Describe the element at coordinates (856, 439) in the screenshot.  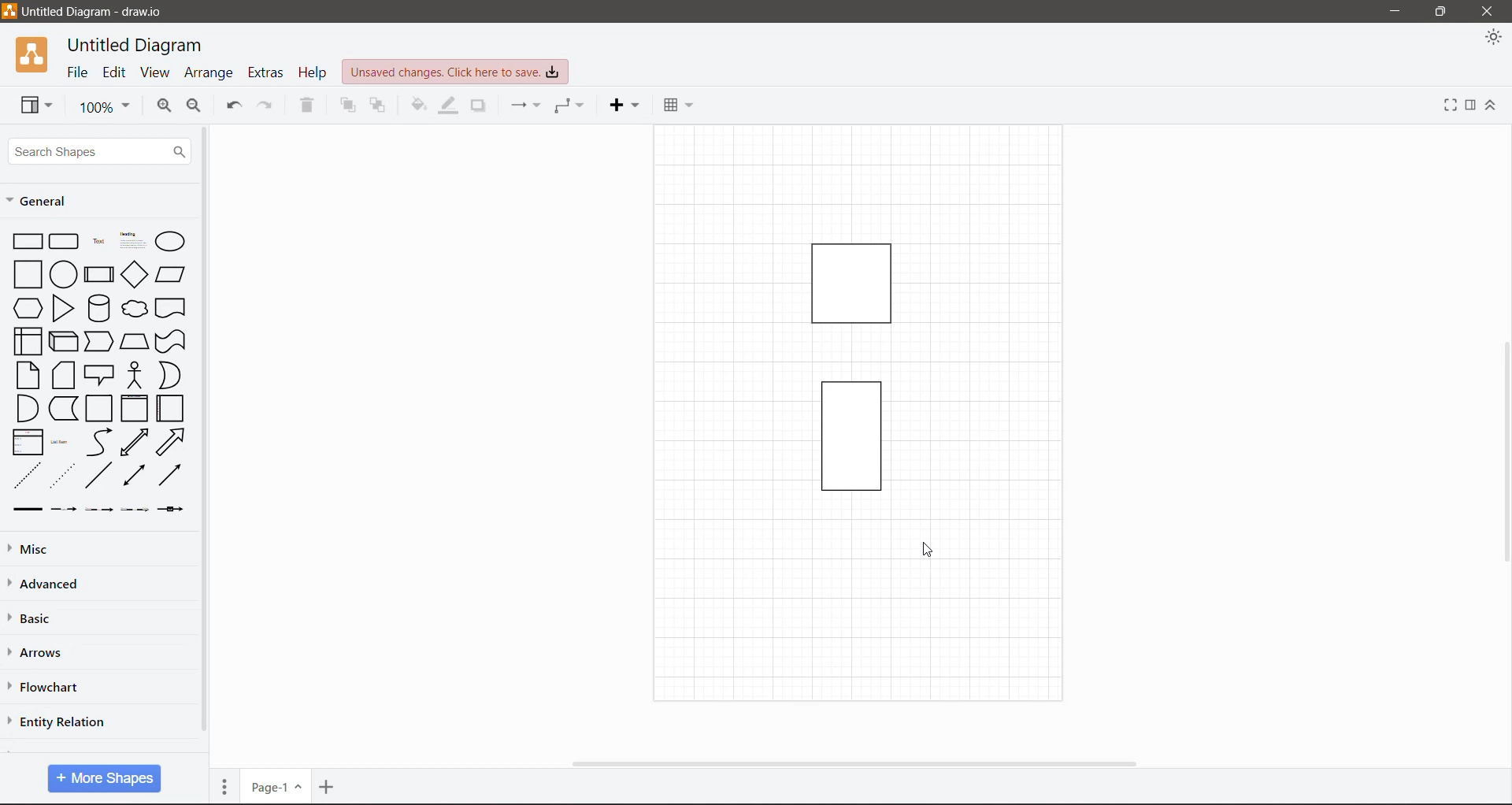
I see `Current Page with drawing on the Canvas` at that location.